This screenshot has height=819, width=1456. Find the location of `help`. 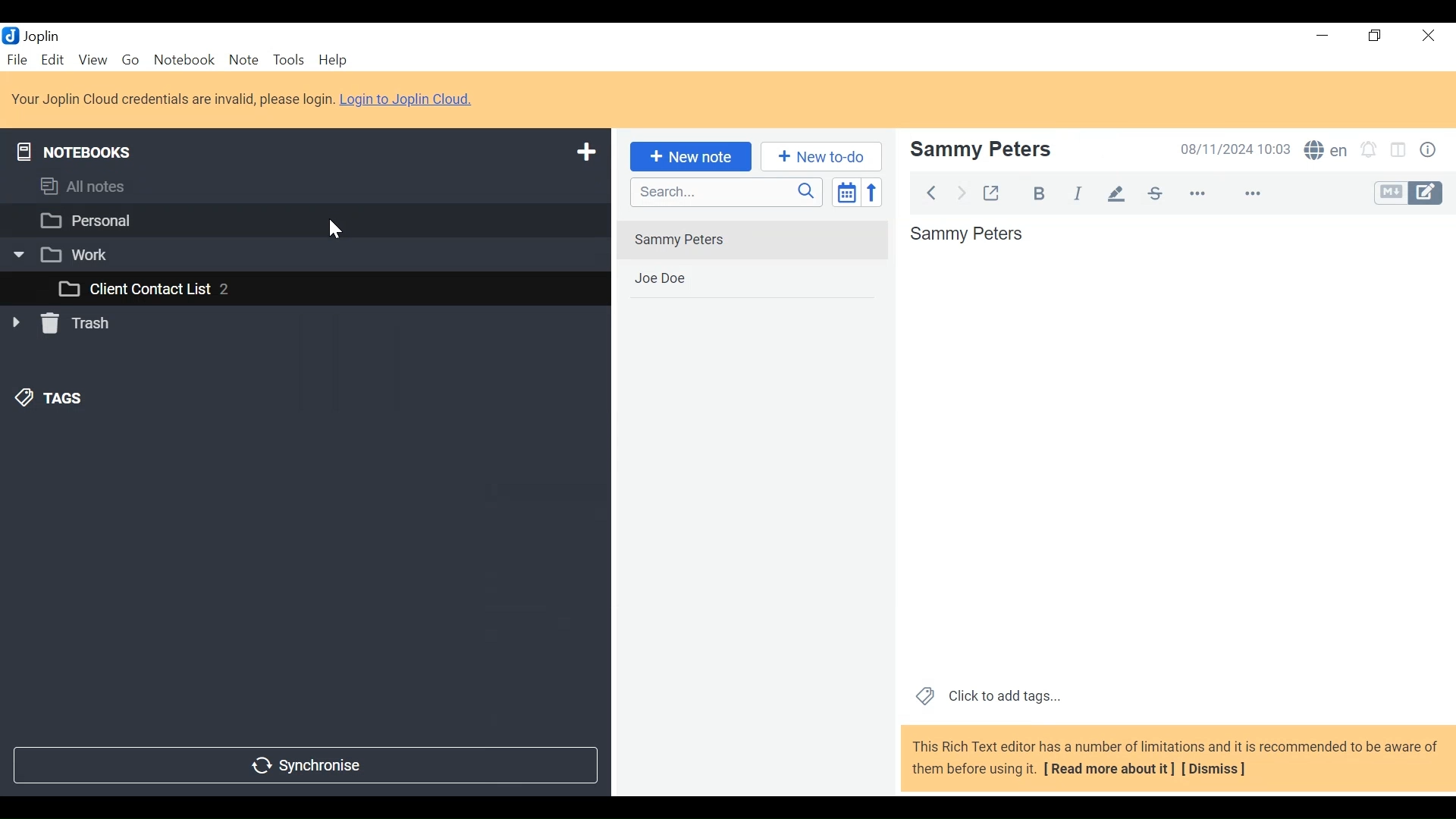

help is located at coordinates (334, 59).